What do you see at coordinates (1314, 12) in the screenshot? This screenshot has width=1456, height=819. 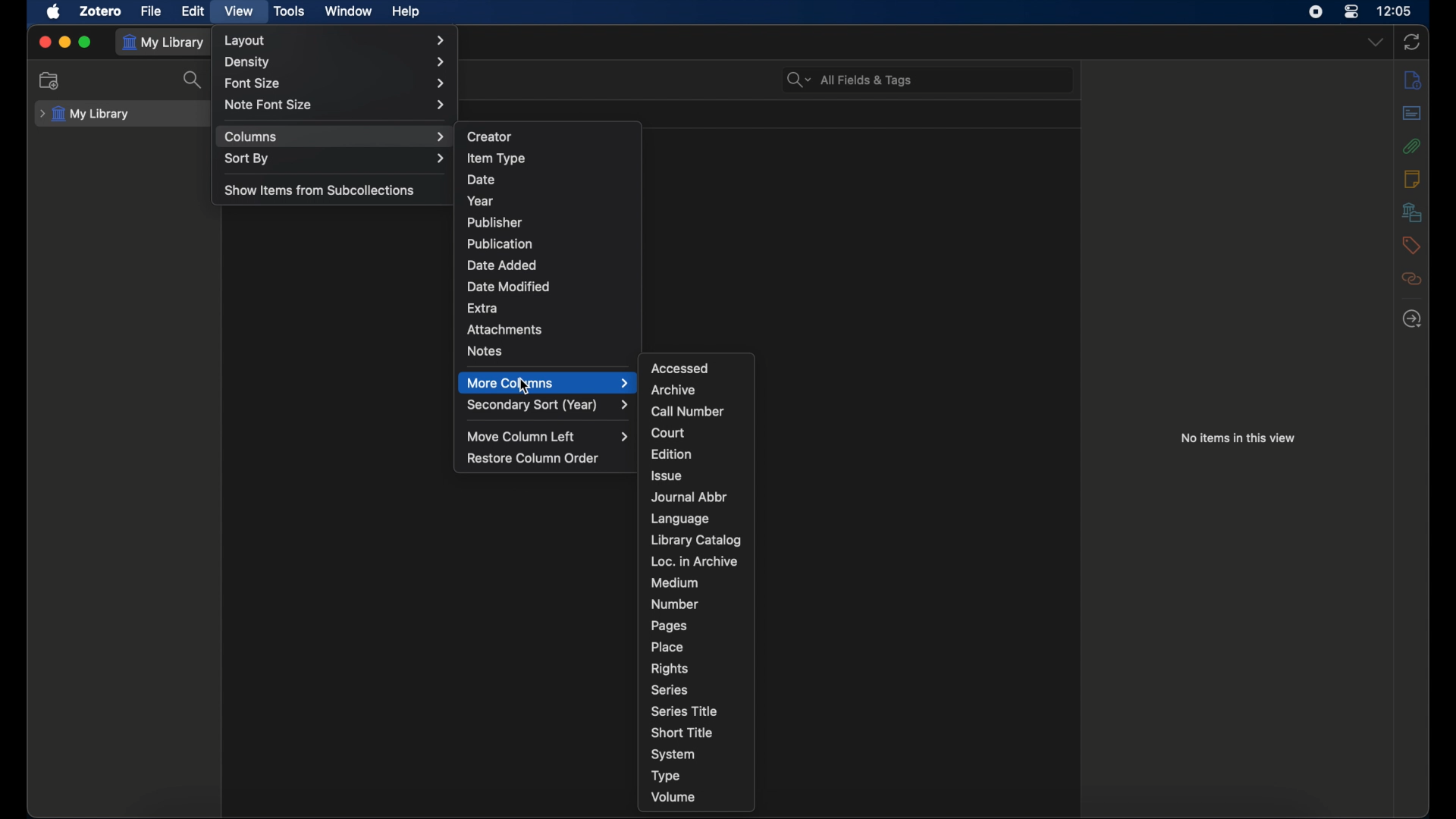 I see `screen recorder` at bounding box center [1314, 12].